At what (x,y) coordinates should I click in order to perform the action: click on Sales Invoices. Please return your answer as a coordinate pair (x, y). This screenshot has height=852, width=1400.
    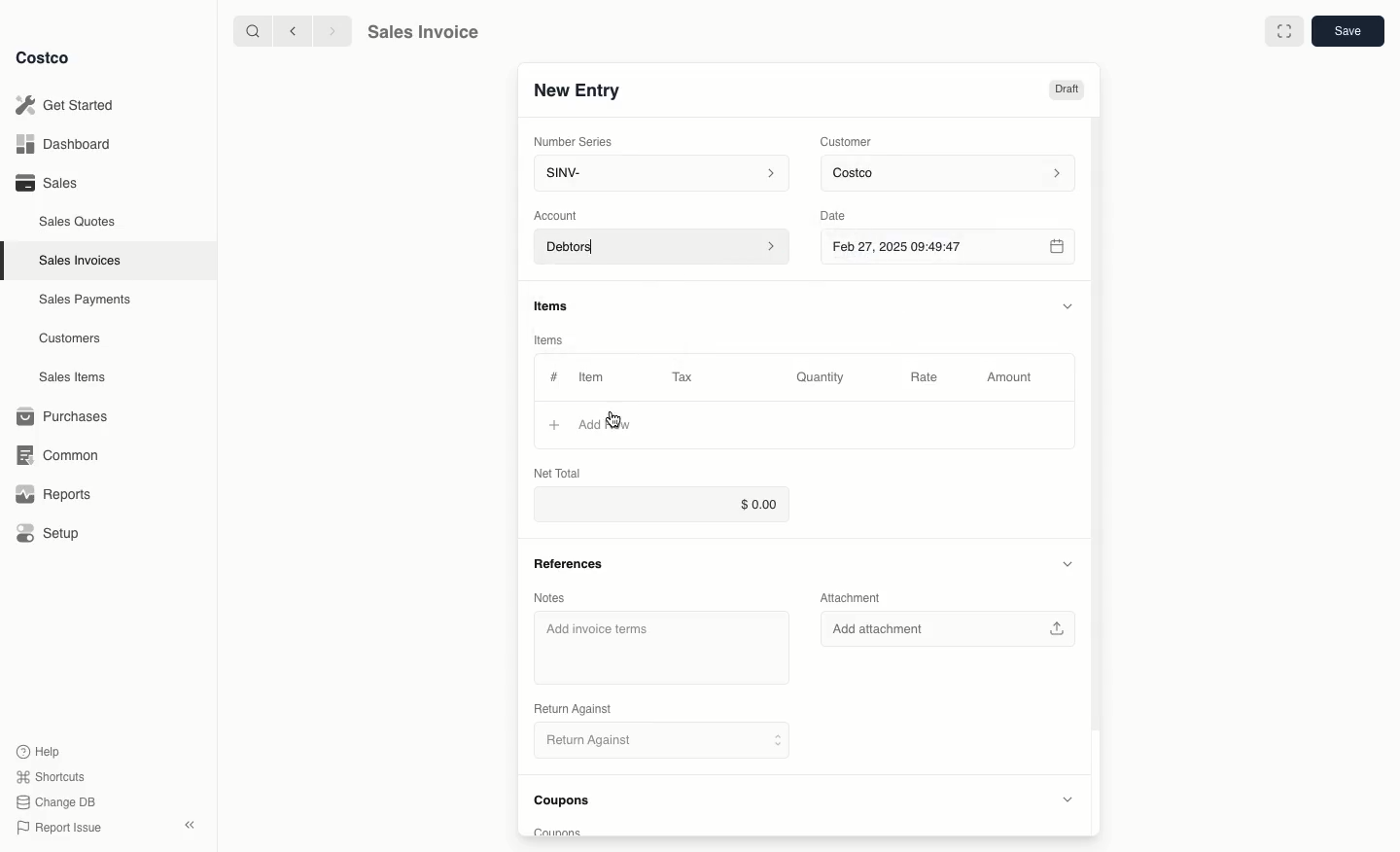
    Looking at the image, I should click on (83, 260).